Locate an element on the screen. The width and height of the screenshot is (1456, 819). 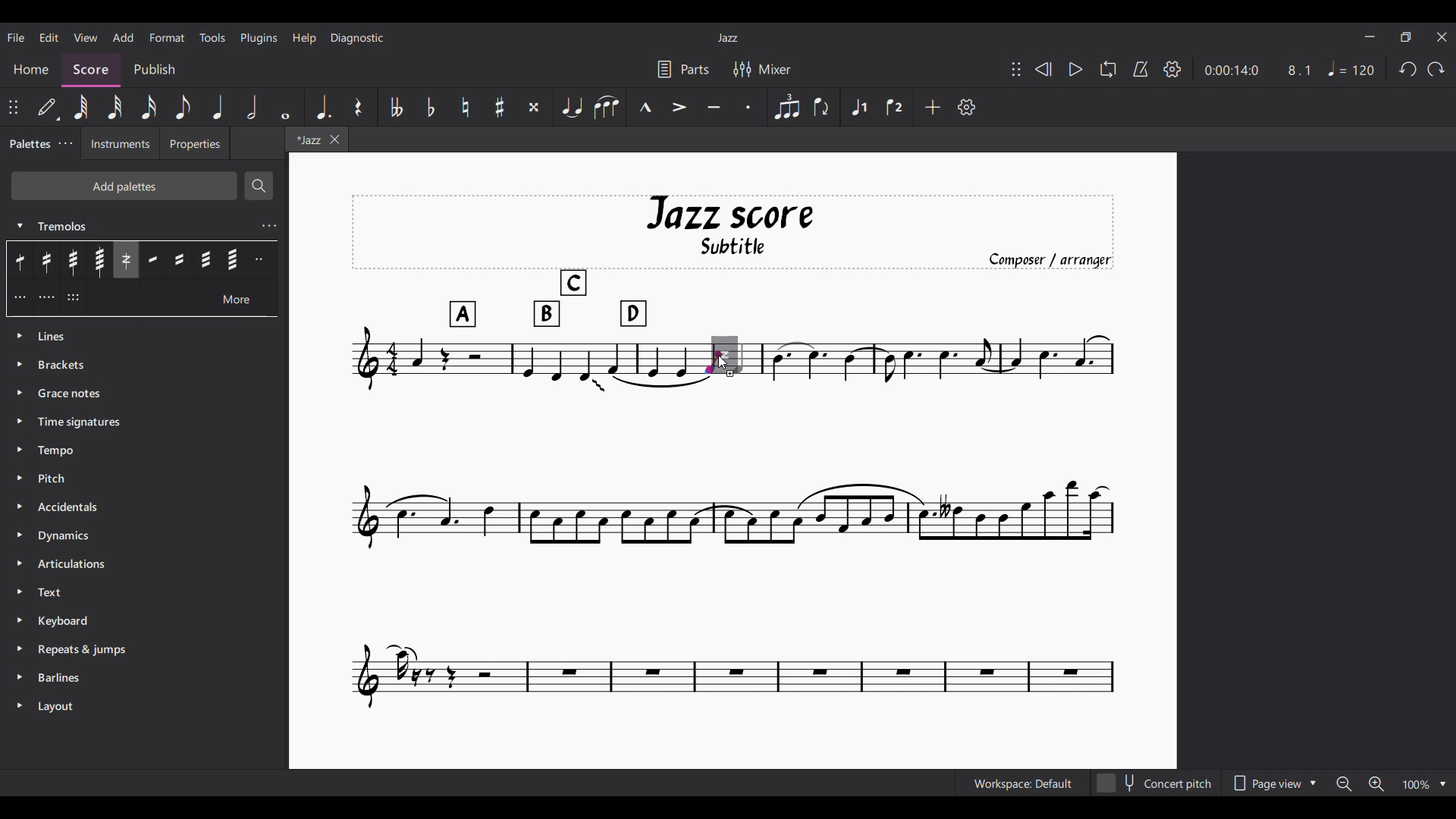
Quarter note is located at coordinates (218, 106).